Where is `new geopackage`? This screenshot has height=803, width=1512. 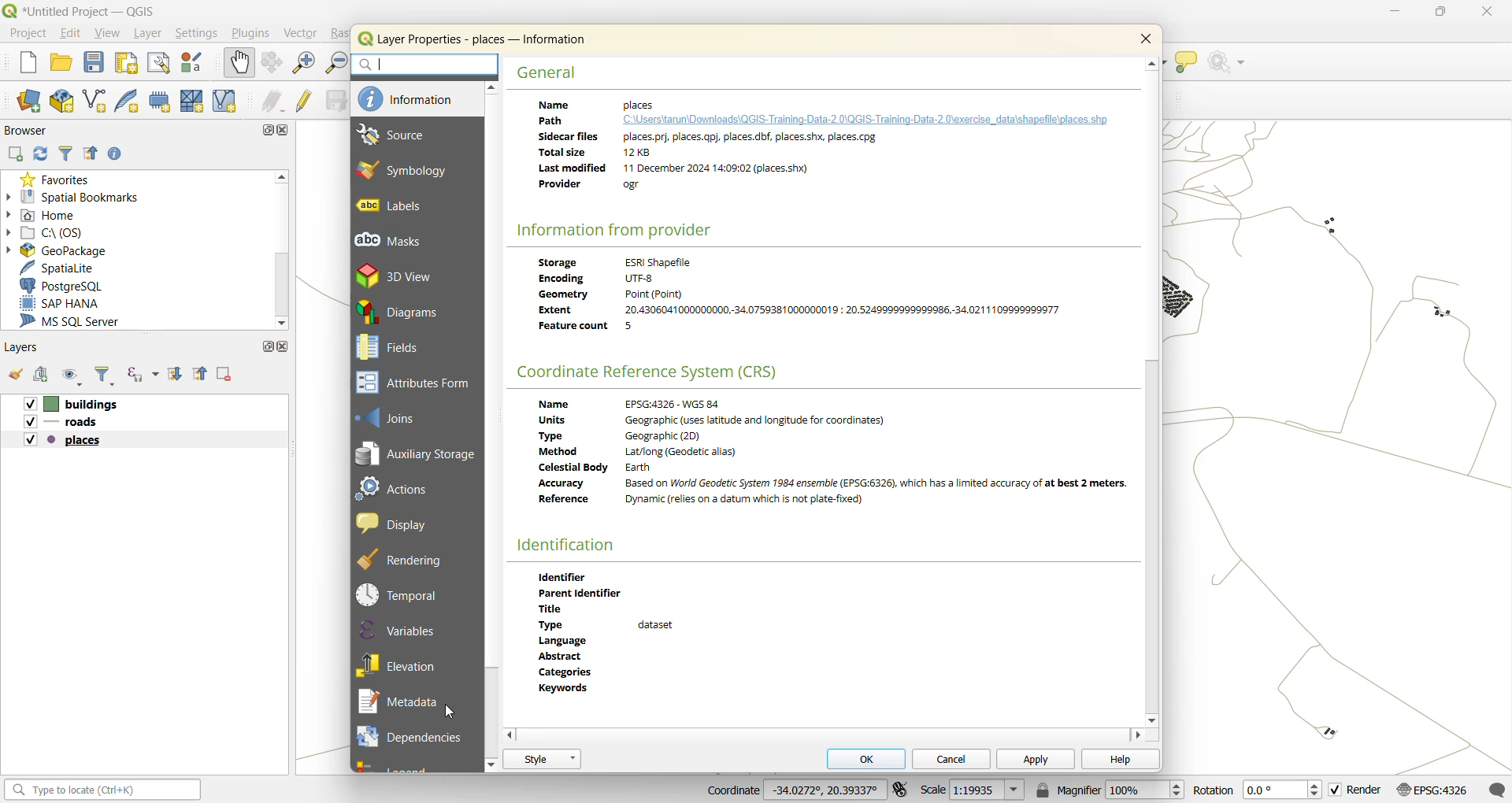 new geopackage is located at coordinates (69, 102).